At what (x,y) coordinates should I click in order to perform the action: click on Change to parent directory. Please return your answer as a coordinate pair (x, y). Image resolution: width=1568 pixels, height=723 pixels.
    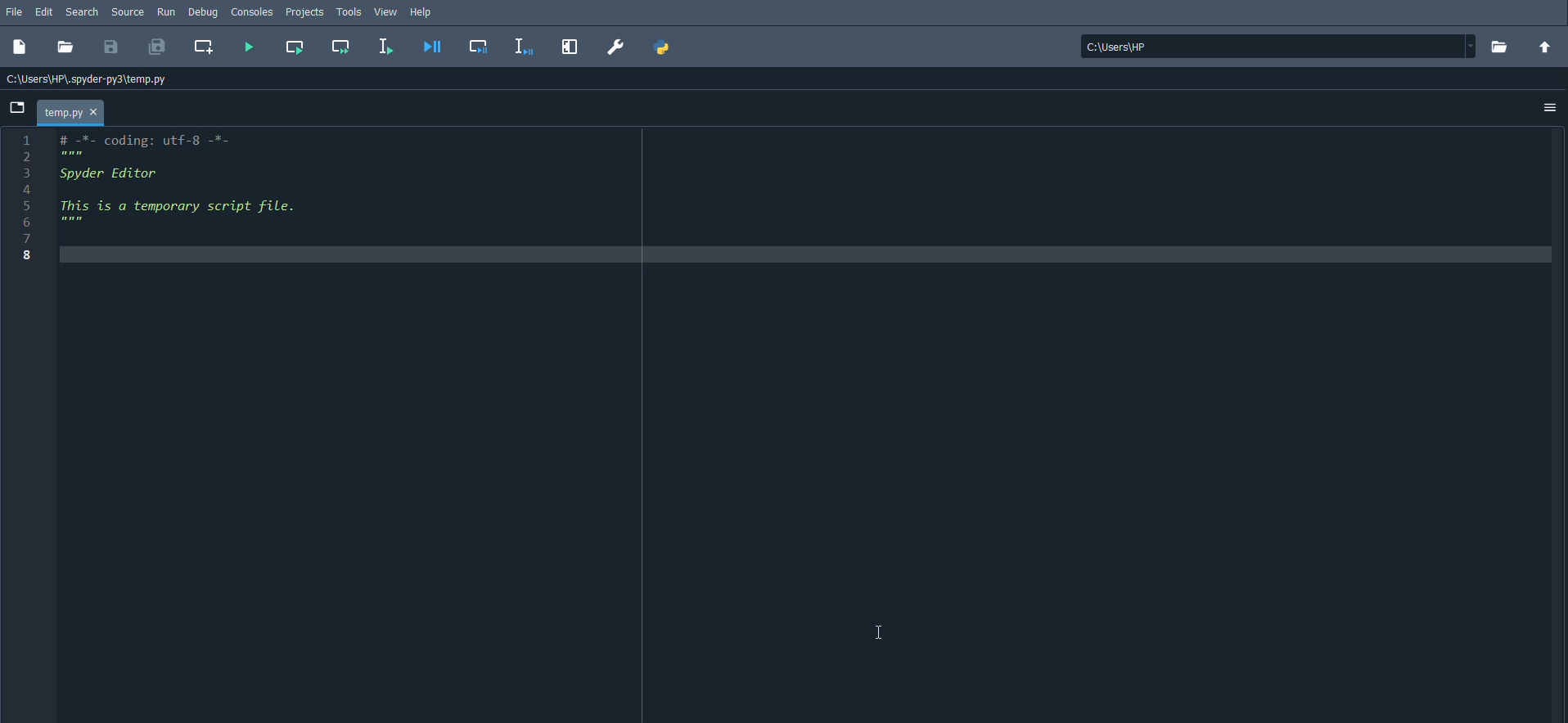
    Looking at the image, I should click on (1546, 47).